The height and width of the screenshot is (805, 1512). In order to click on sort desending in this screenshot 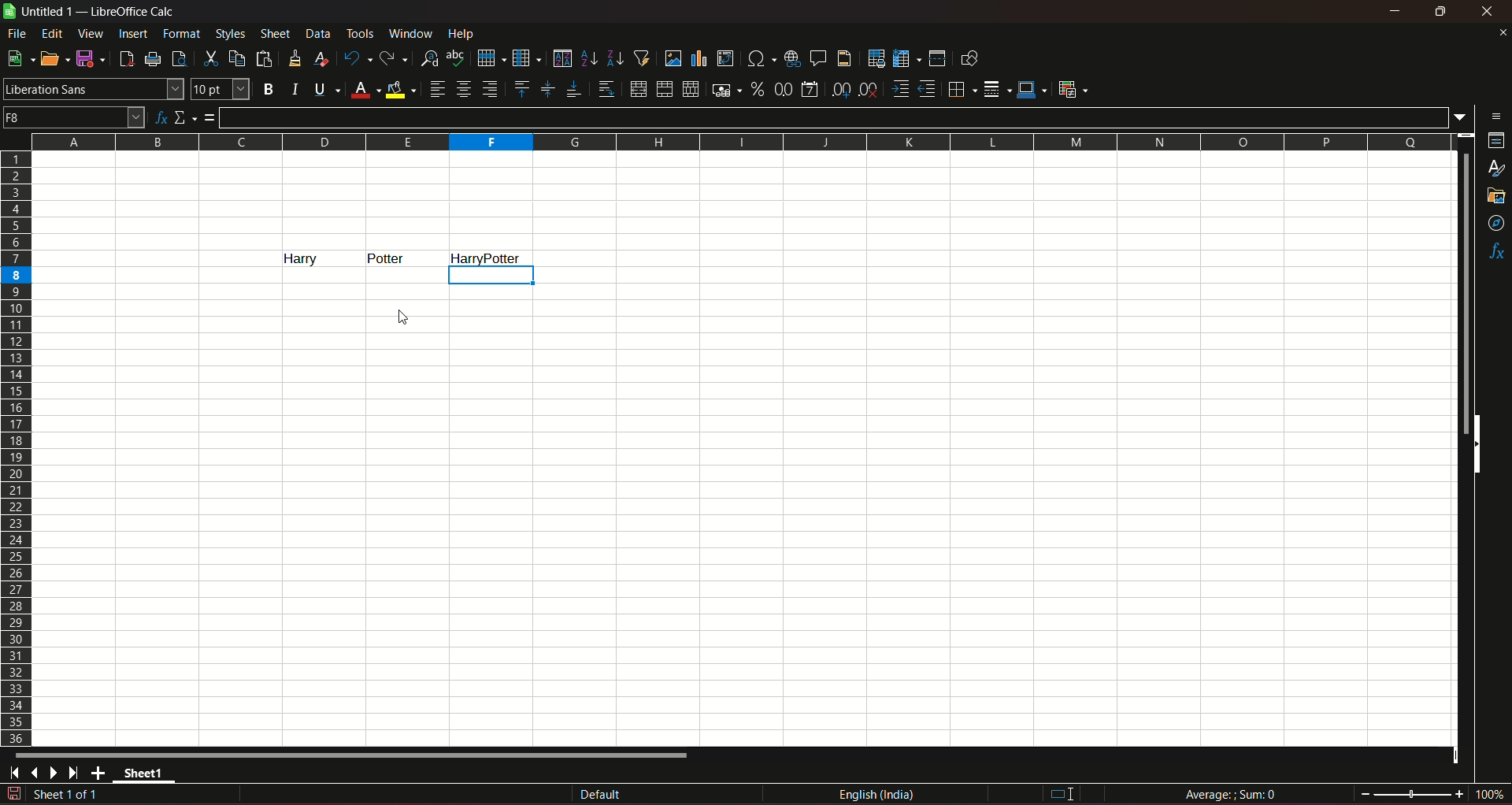, I will do `click(616, 57)`.